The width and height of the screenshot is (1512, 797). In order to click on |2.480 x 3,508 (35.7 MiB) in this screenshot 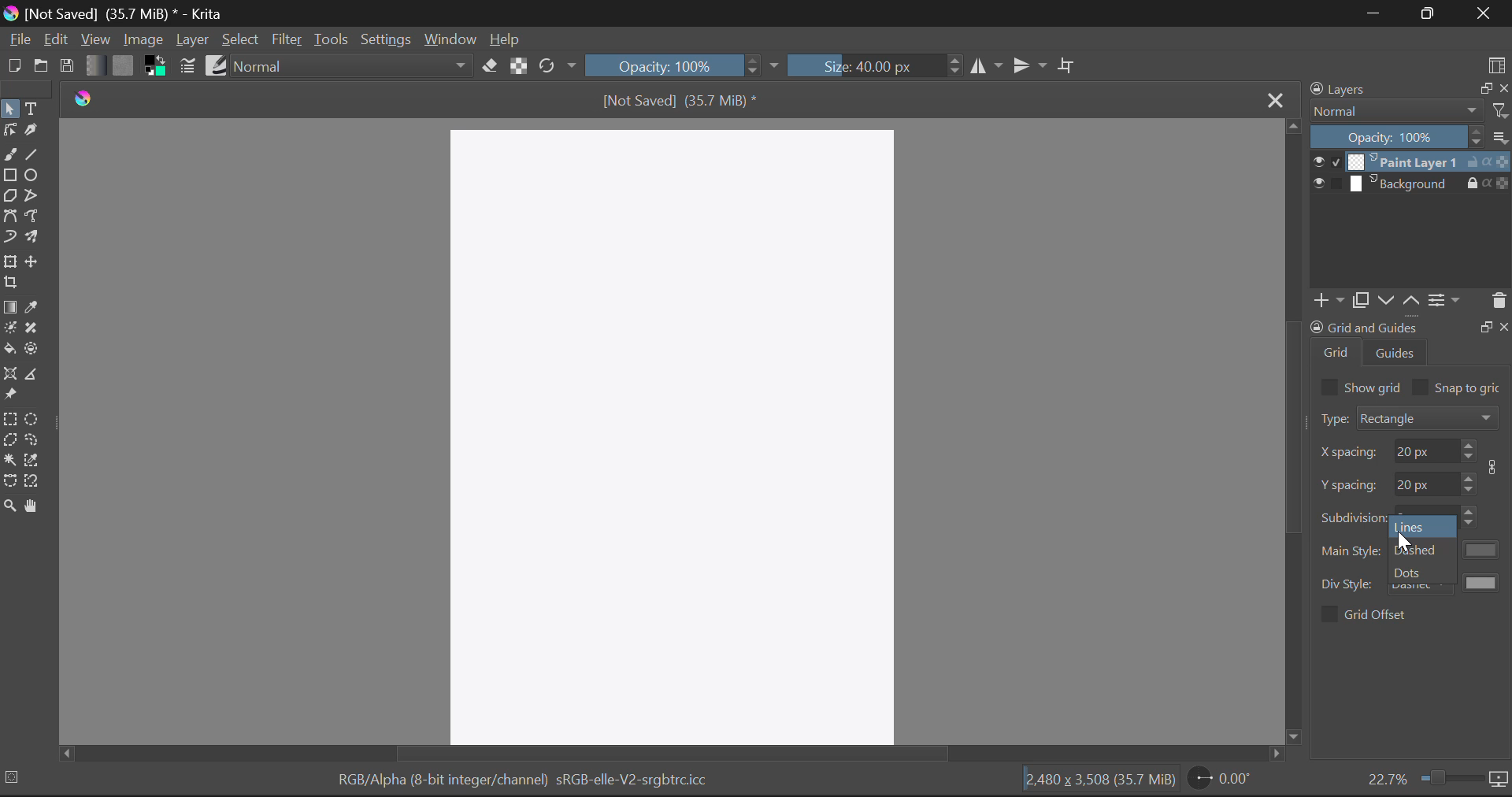, I will do `click(1099, 781)`.